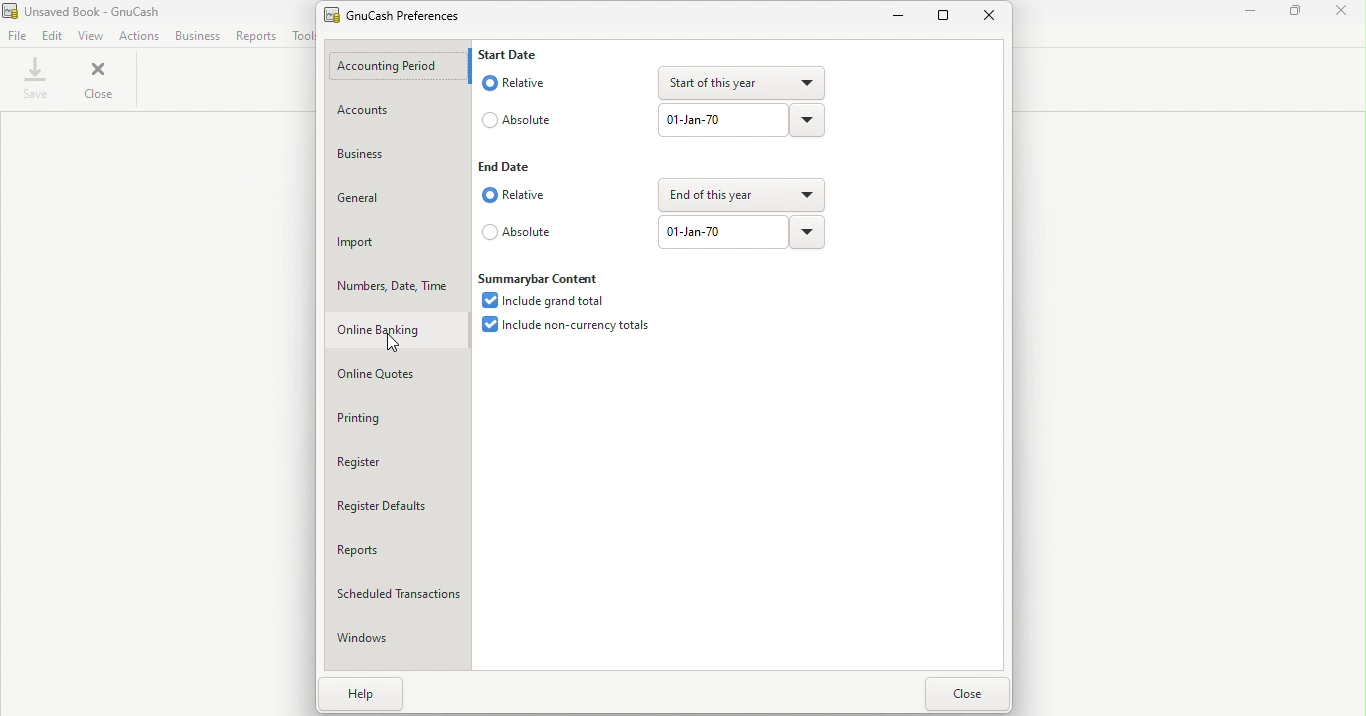 The image size is (1366, 716). What do you see at coordinates (396, 154) in the screenshot?
I see `Business` at bounding box center [396, 154].